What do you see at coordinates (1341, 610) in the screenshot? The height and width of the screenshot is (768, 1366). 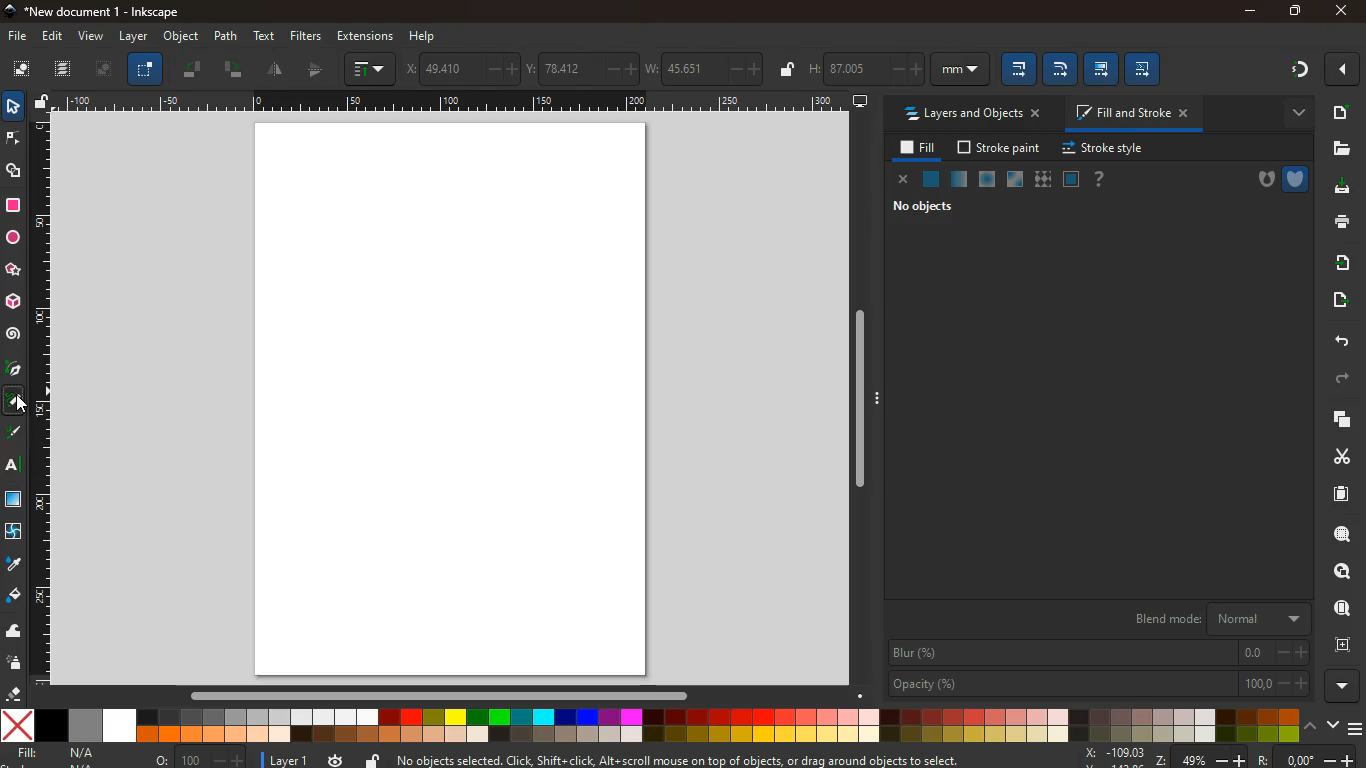 I see `look` at bounding box center [1341, 610].